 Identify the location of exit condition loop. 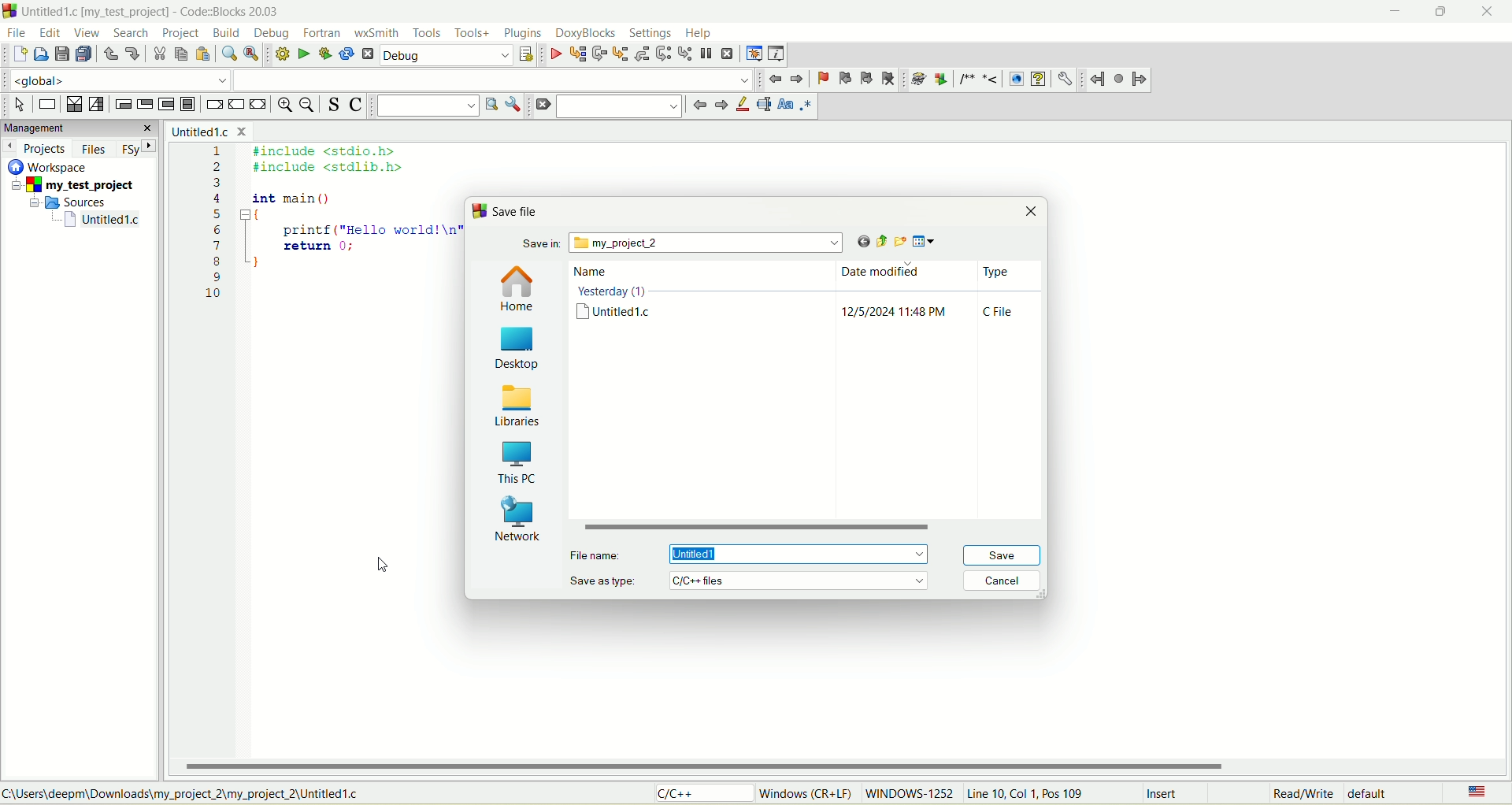
(145, 105).